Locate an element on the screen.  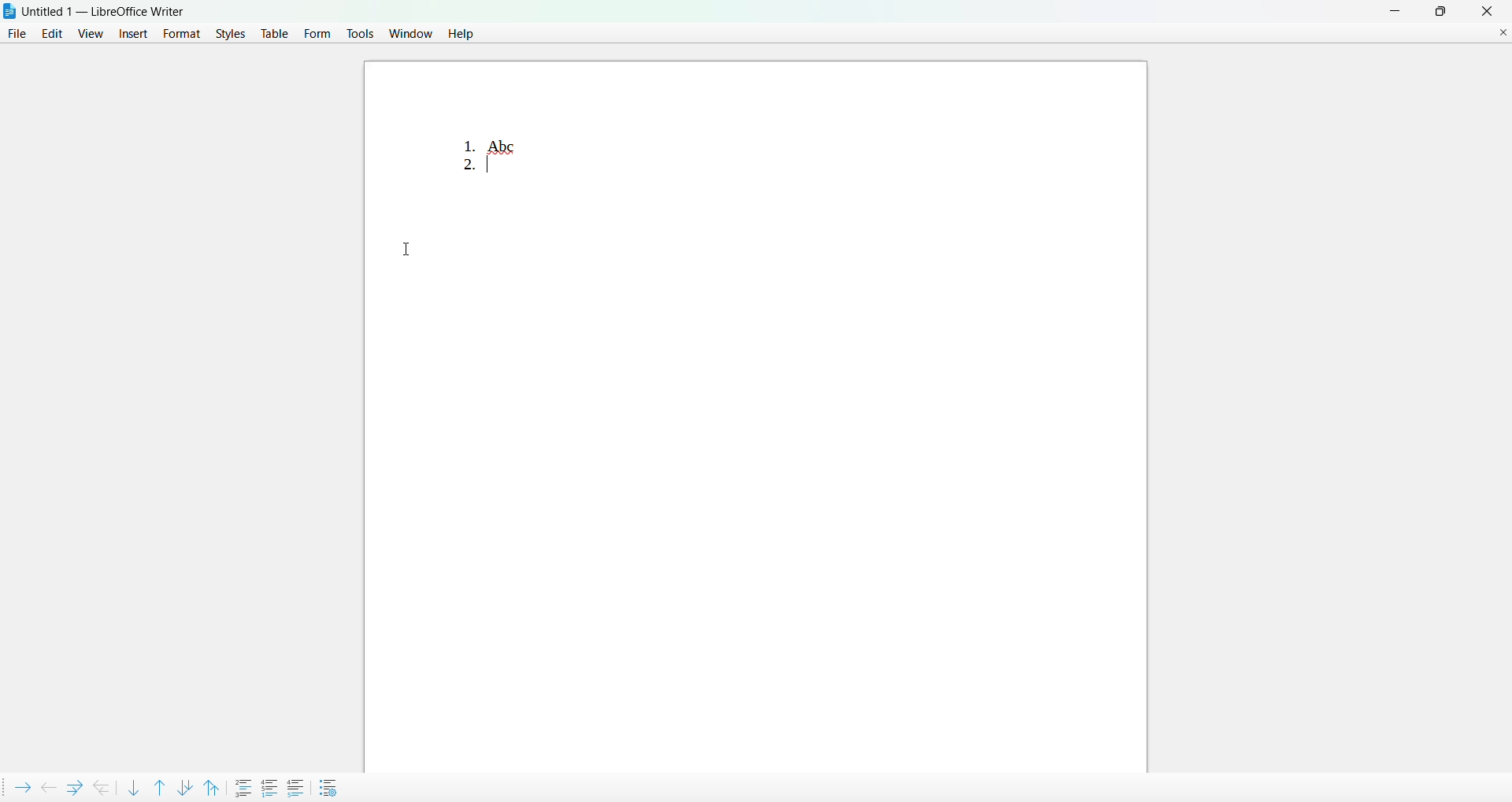
restart numbering is located at coordinates (271, 785).